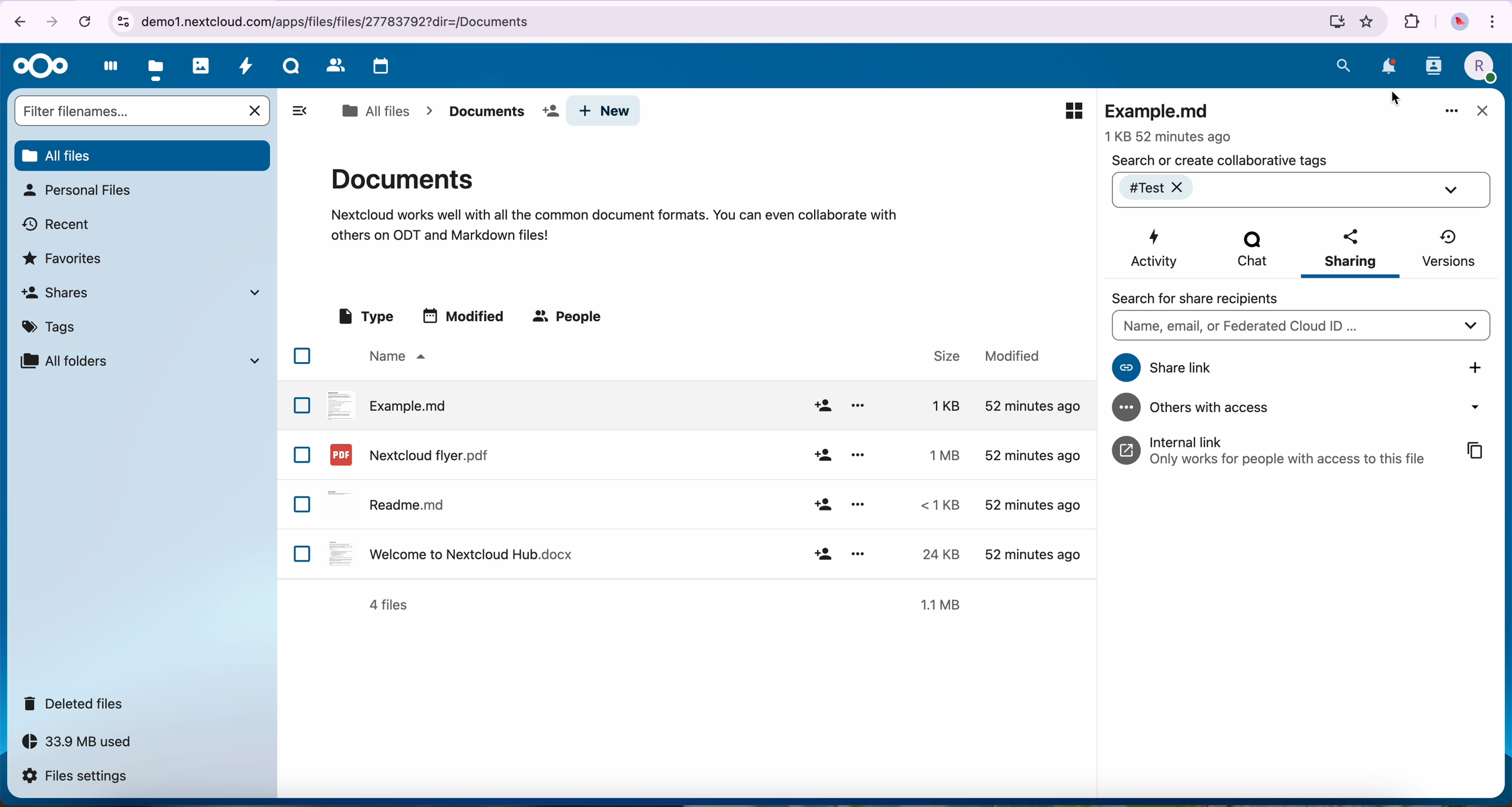 This screenshot has width=1512, height=807. Describe the element at coordinates (1030, 552) in the screenshot. I see `modified` at that location.